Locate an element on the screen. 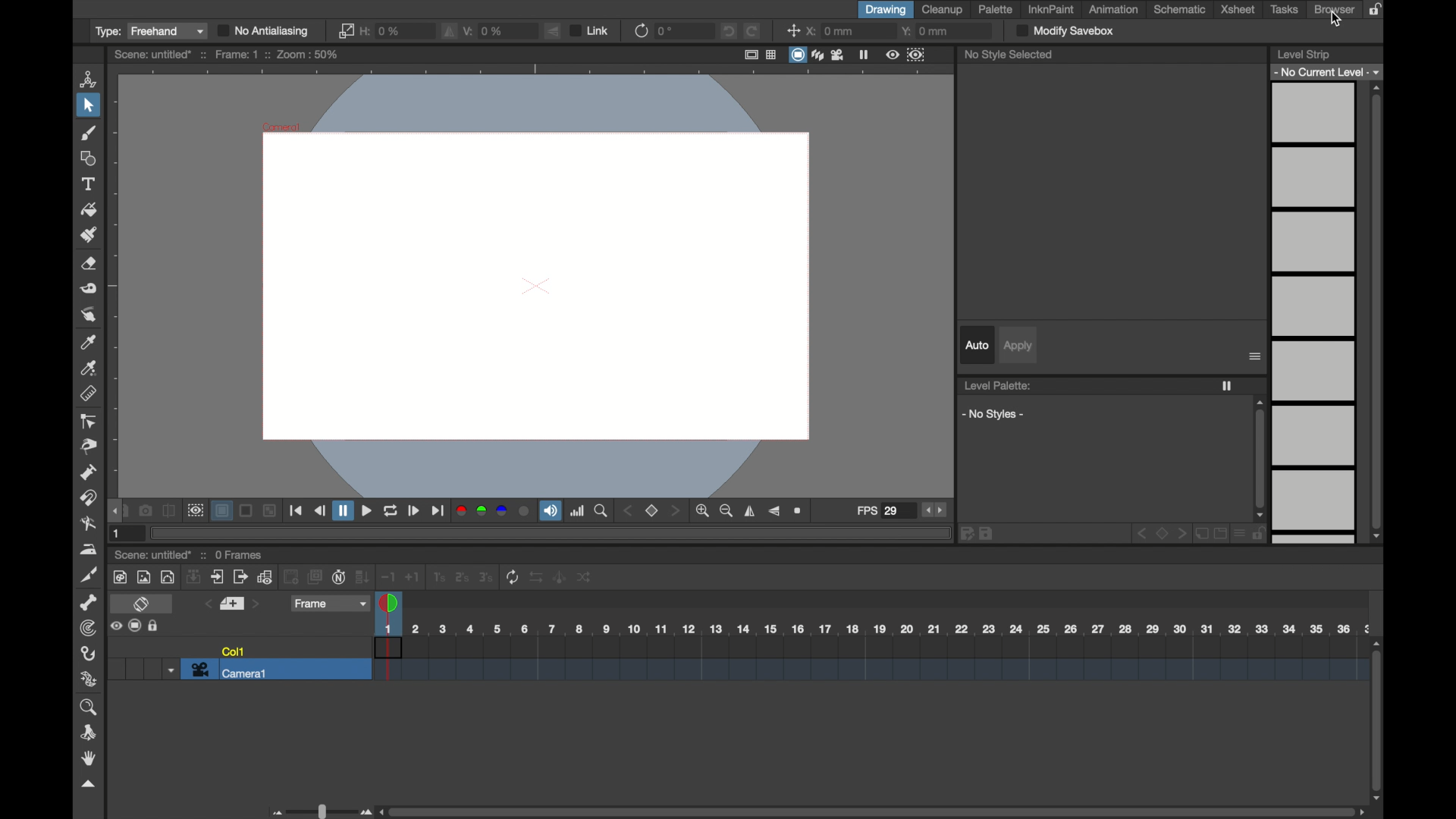  scene is located at coordinates (188, 555).